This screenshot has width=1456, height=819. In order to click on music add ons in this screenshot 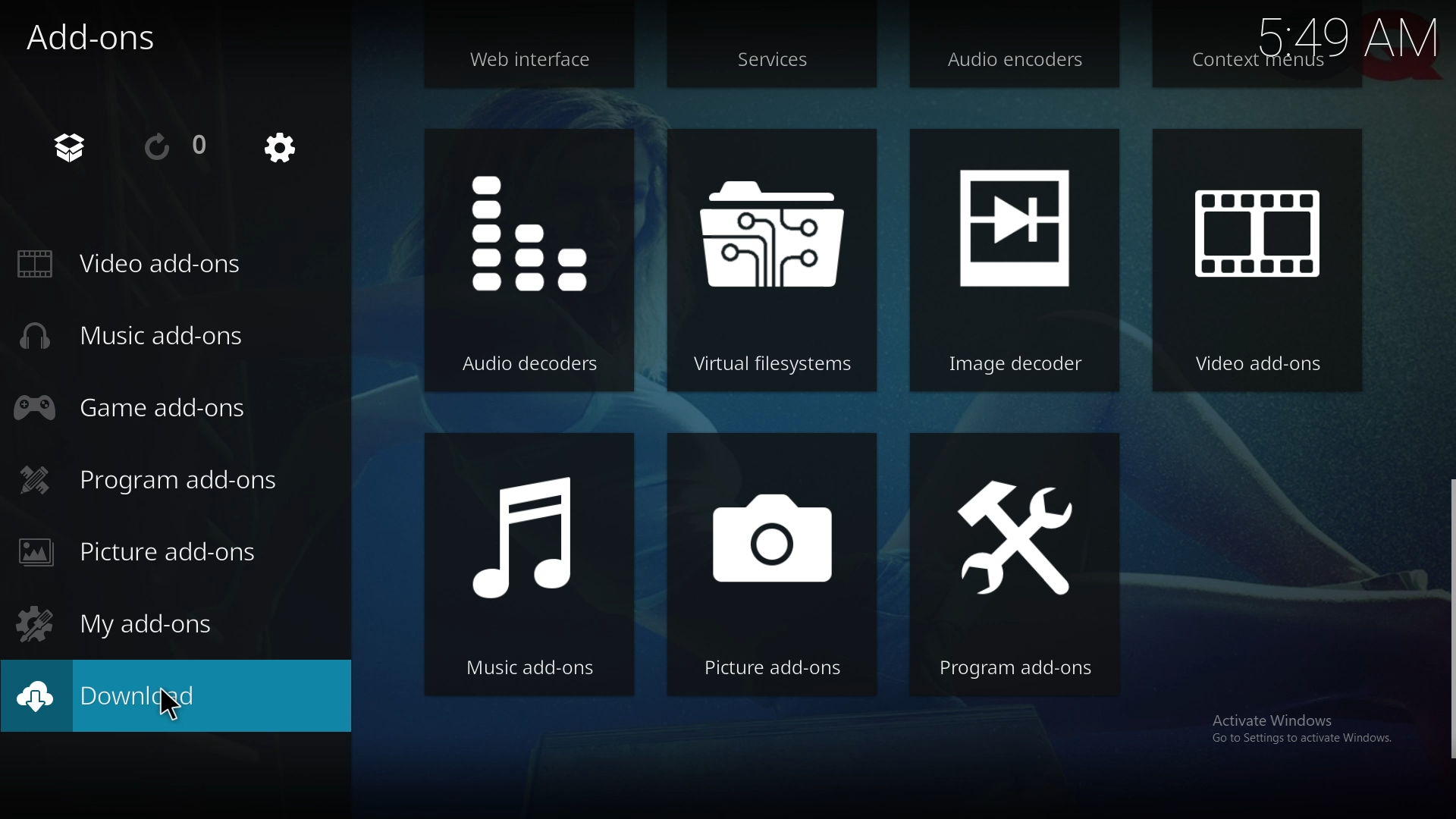, I will do `click(530, 567)`.